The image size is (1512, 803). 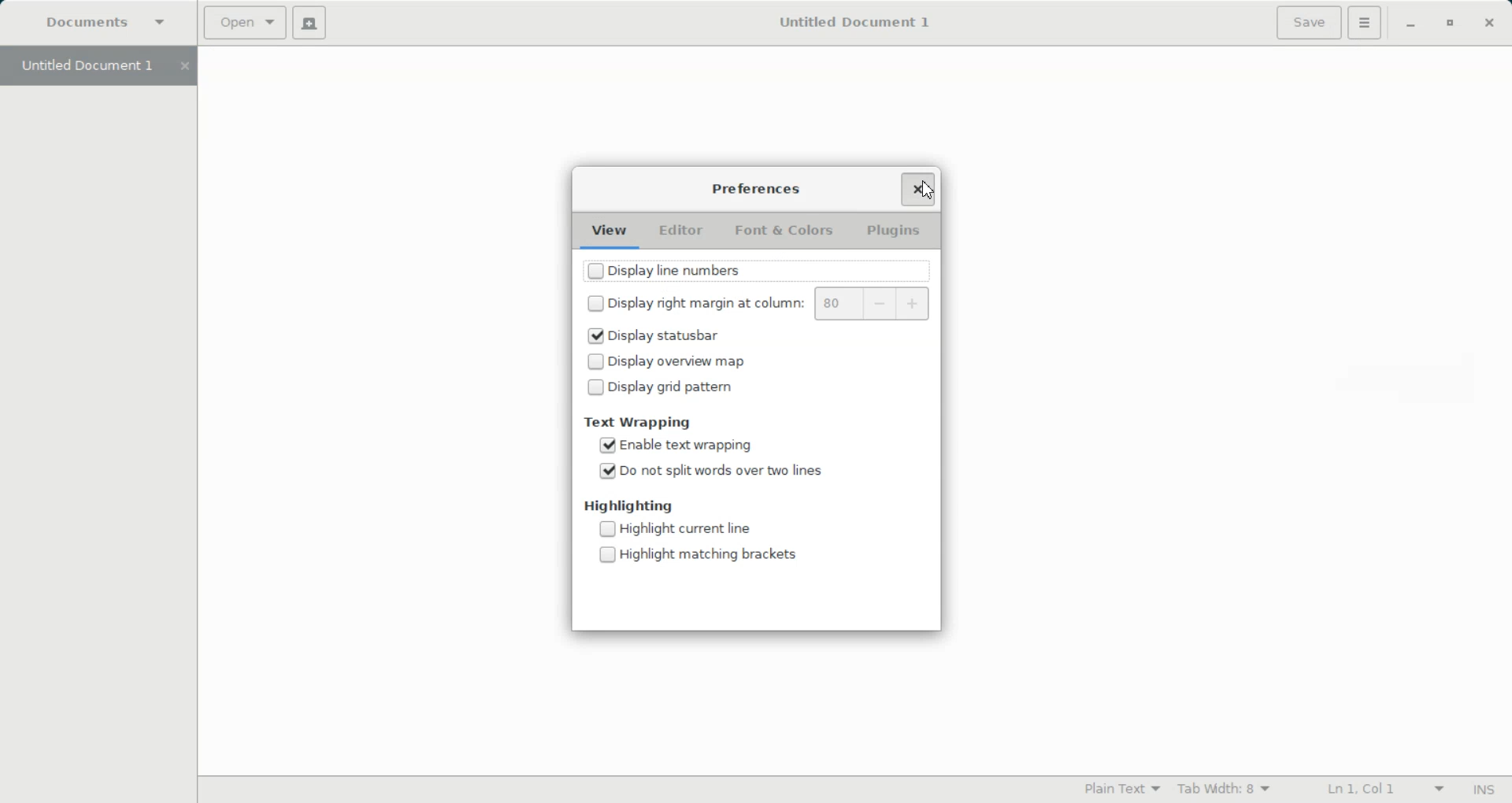 What do you see at coordinates (701, 336) in the screenshot?
I see `(un)check Enable Display status bar` at bounding box center [701, 336].